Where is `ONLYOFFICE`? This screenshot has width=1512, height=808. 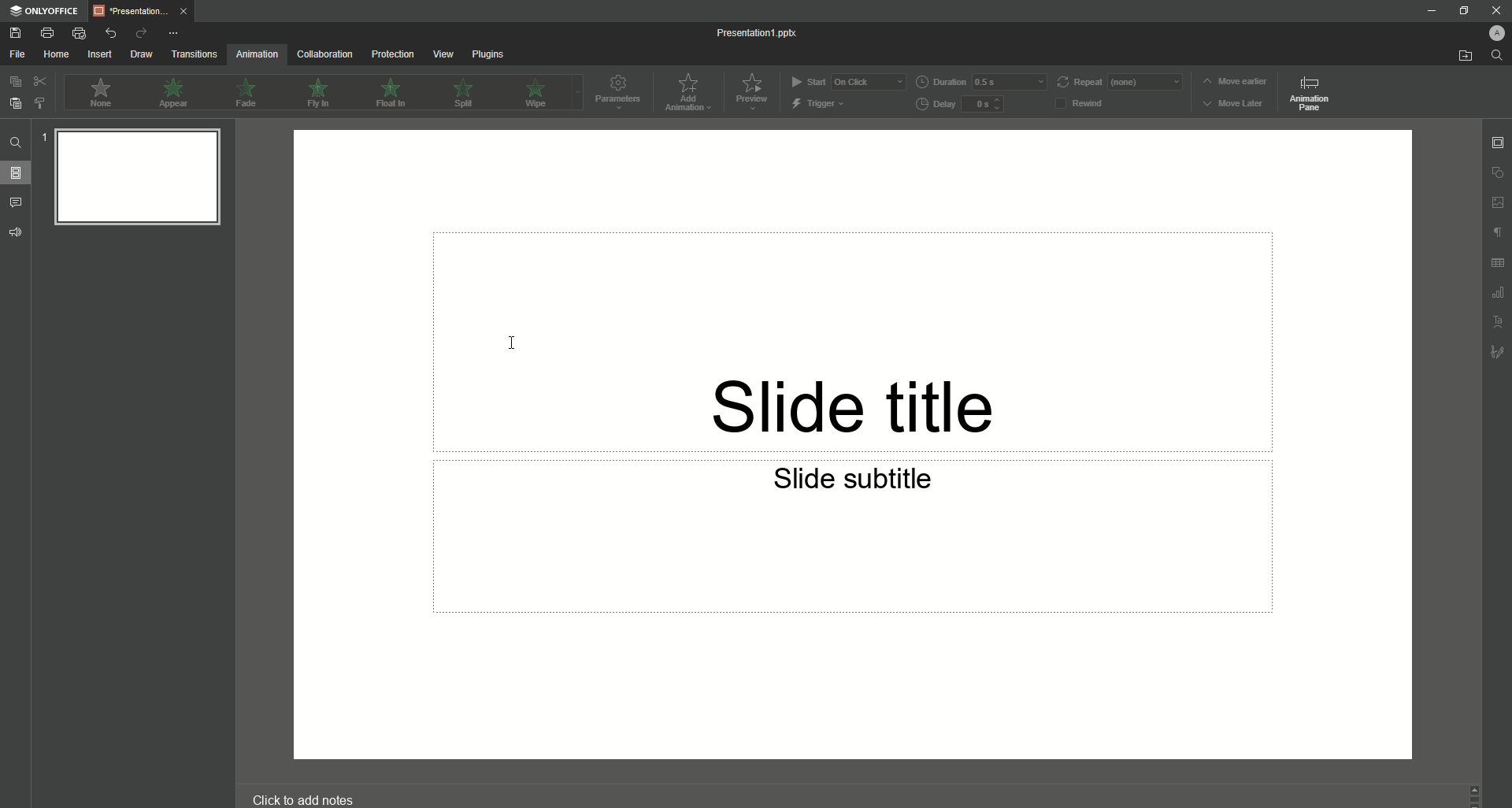
ONLYOFFICE is located at coordinates (43, 11).